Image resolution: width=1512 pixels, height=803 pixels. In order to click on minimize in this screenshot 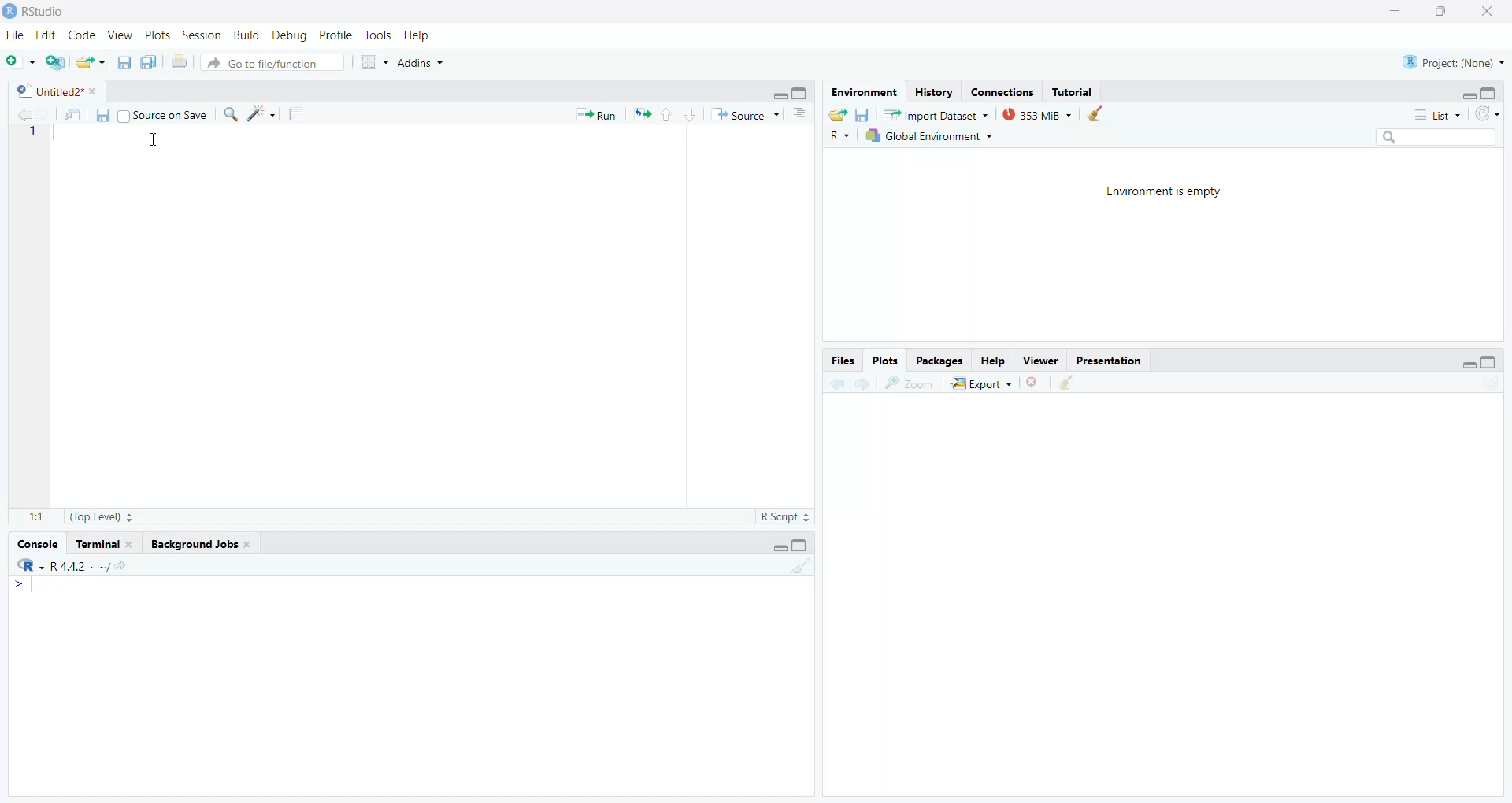, I will do `click(1393, 9)`.